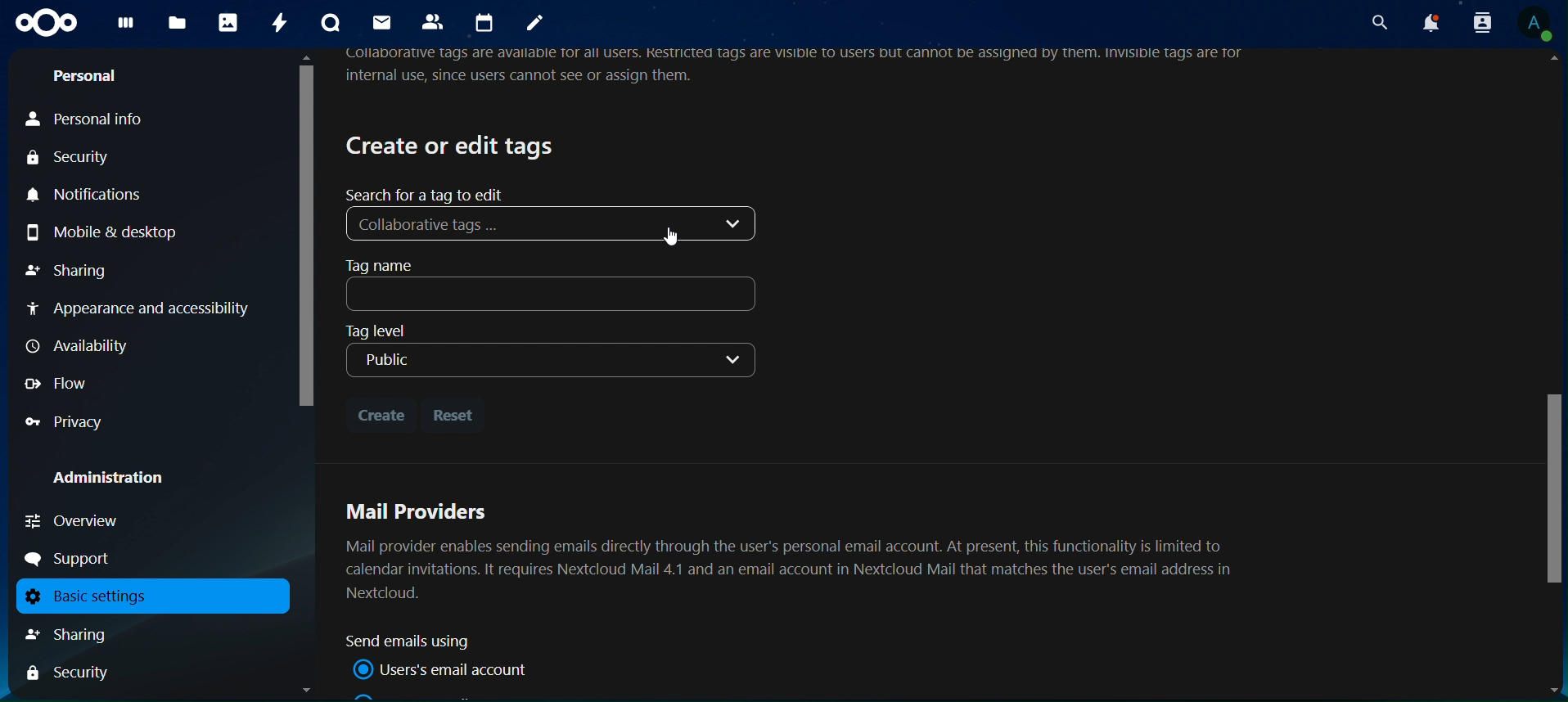 The image size is (1568, 702). What do you see at coordinates (69, 674) in the screenshot?
I see `Security` at bounding box center [69, 674].